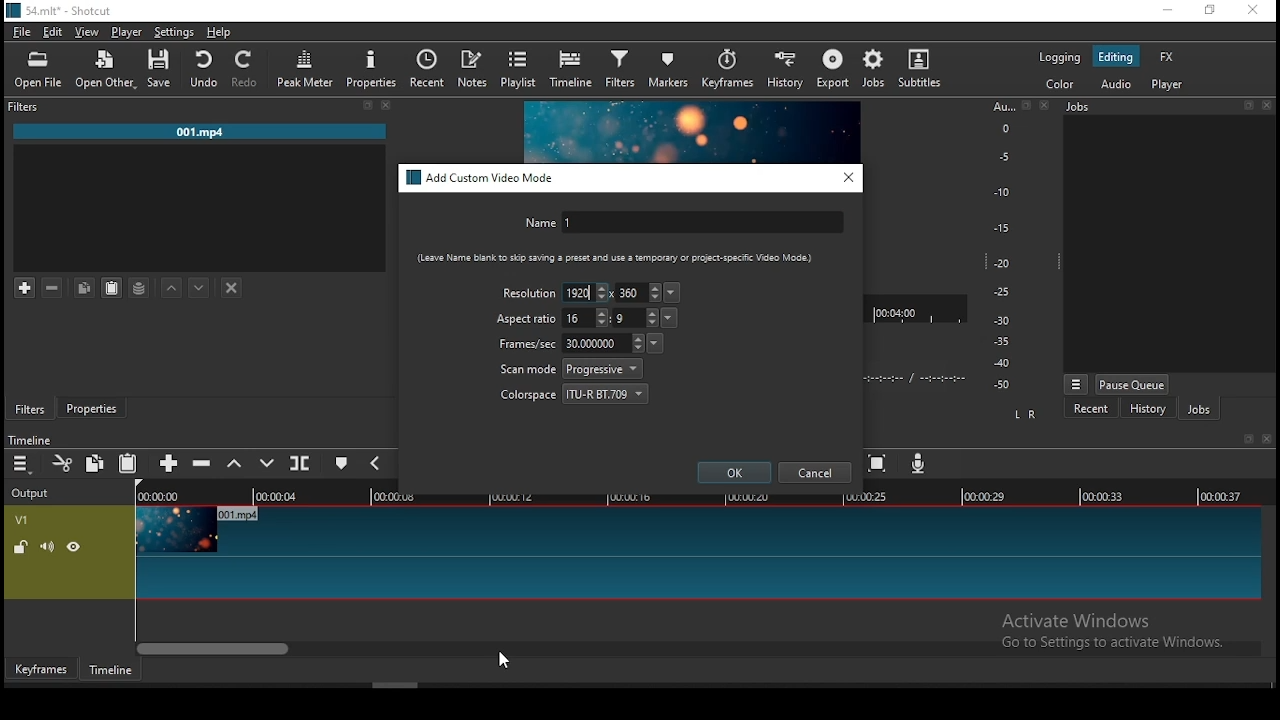 The height and width of the screenshot is (720, 1280). Describe the element at coordinates (201, 462) in the screenshot. I see `ripple delete` at that location.